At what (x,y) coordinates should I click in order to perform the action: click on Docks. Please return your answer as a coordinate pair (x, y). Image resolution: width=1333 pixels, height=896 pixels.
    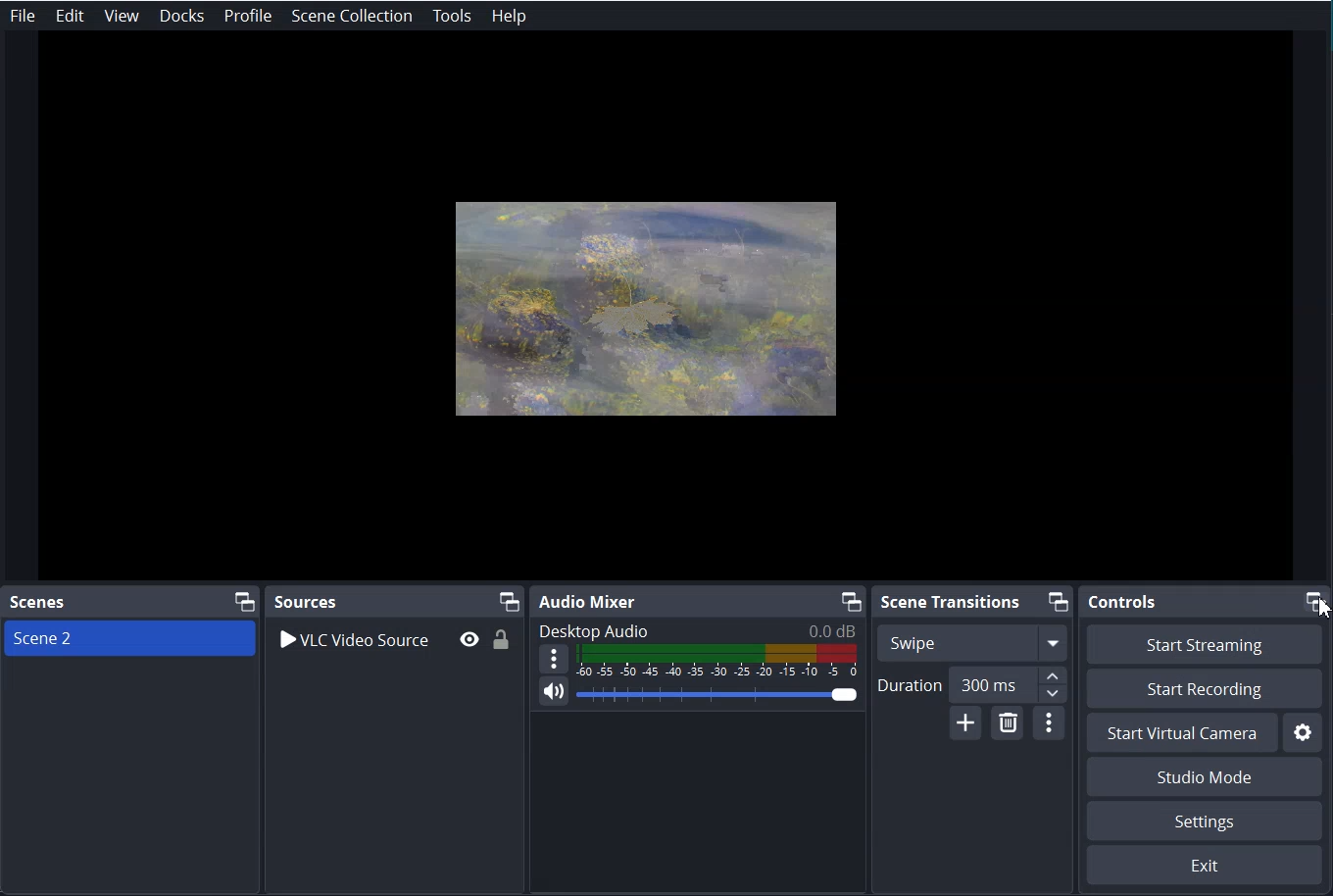
    Looking at the image, I should click on (181, 16).